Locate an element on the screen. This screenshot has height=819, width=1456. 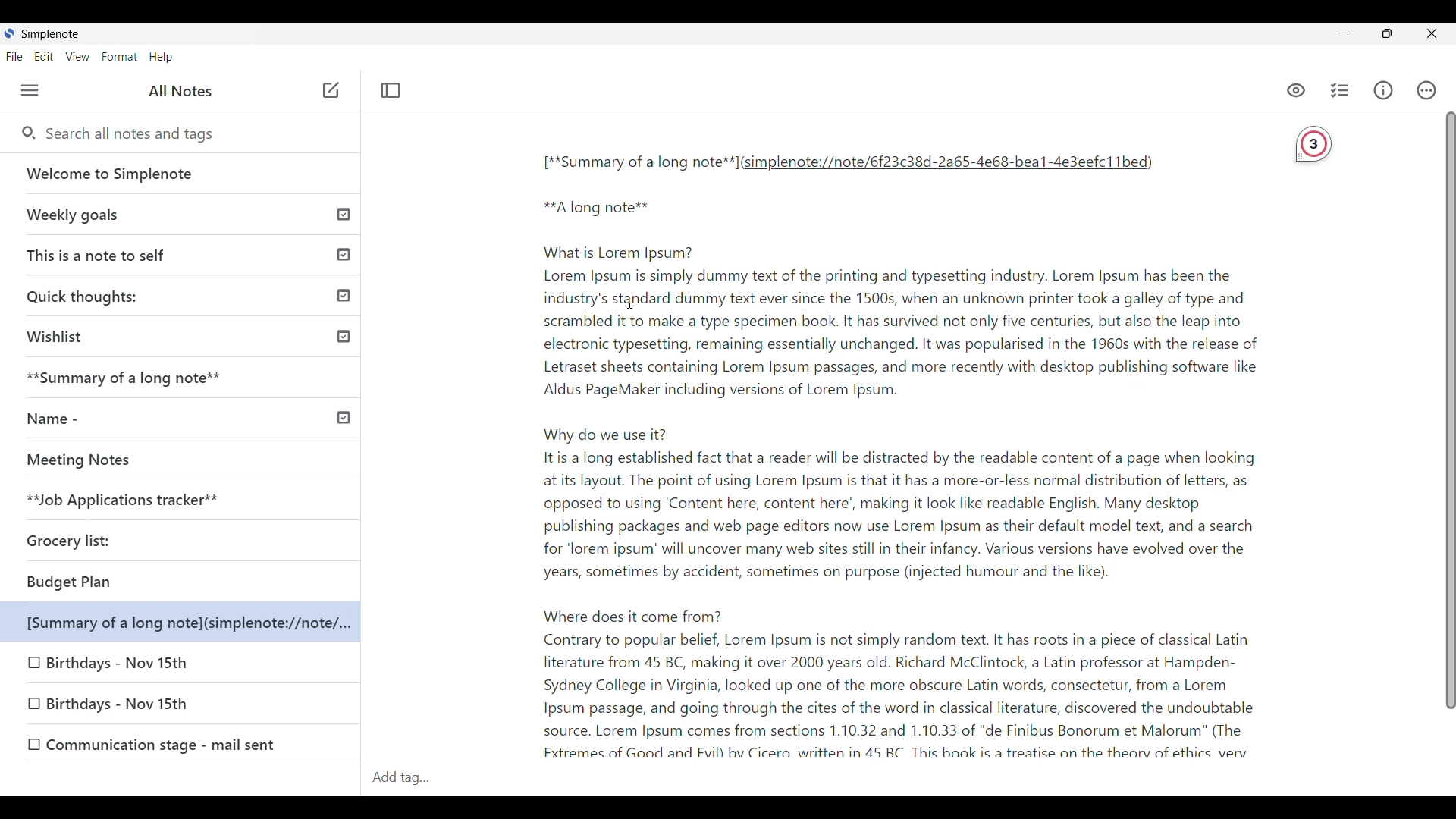
Meeting notes is located at coordinates (154, 460).